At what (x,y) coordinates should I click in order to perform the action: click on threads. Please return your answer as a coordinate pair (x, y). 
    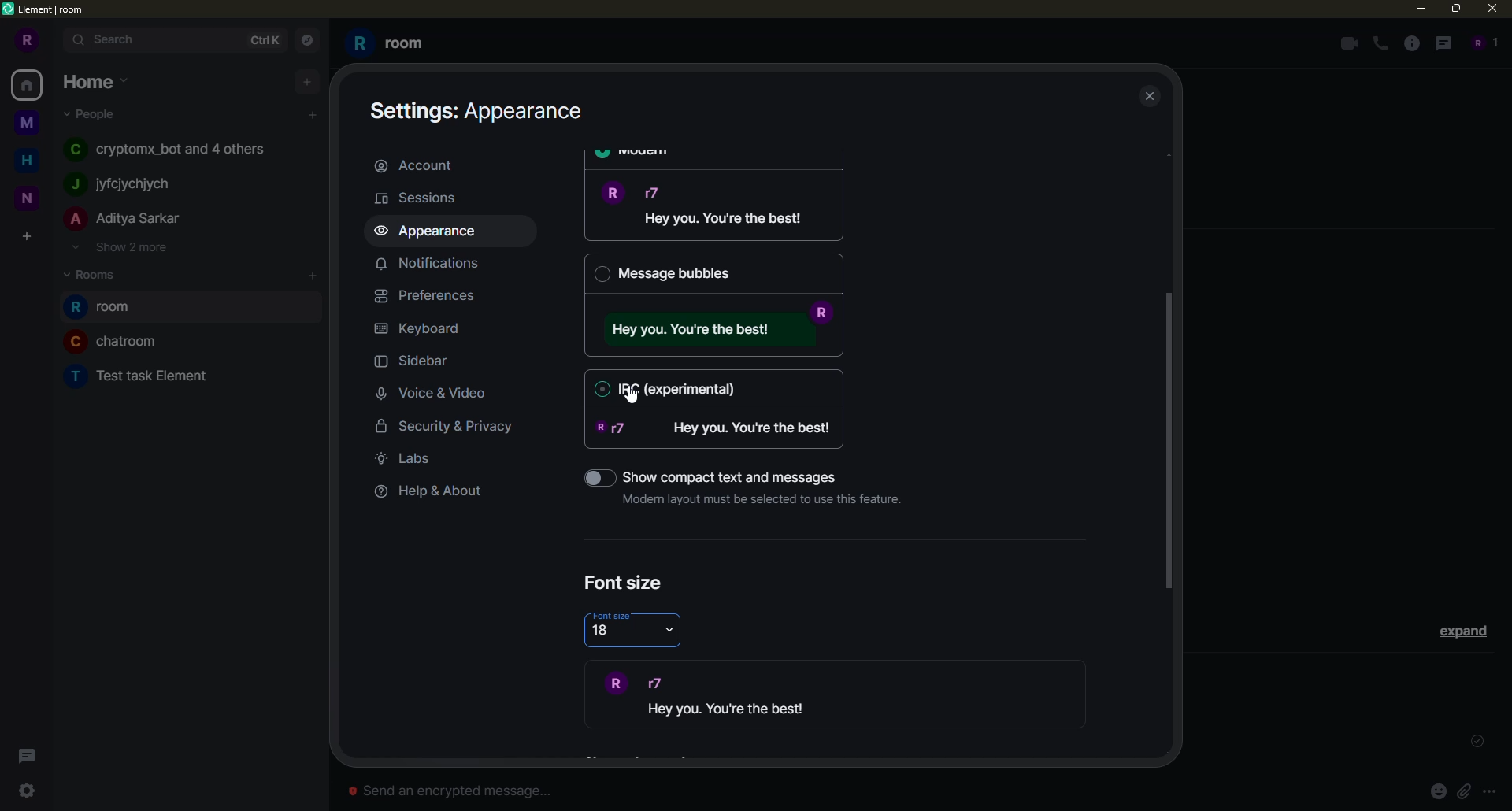
    Looking at the image, I should click on (24, 756).